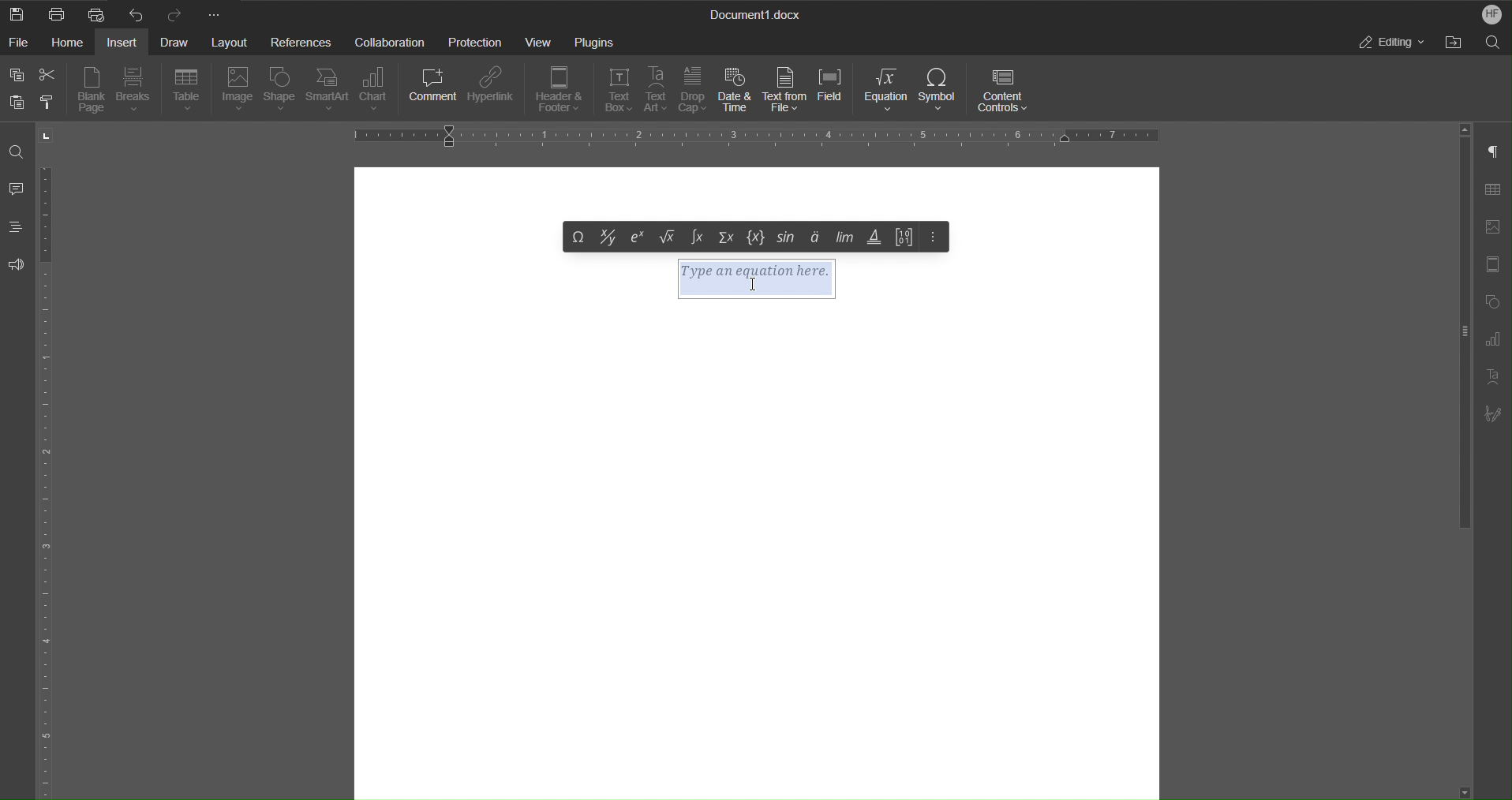 The height and width of the screenshot is (800, 1512). I want to click on Header/Footer, so click(1492, 264).